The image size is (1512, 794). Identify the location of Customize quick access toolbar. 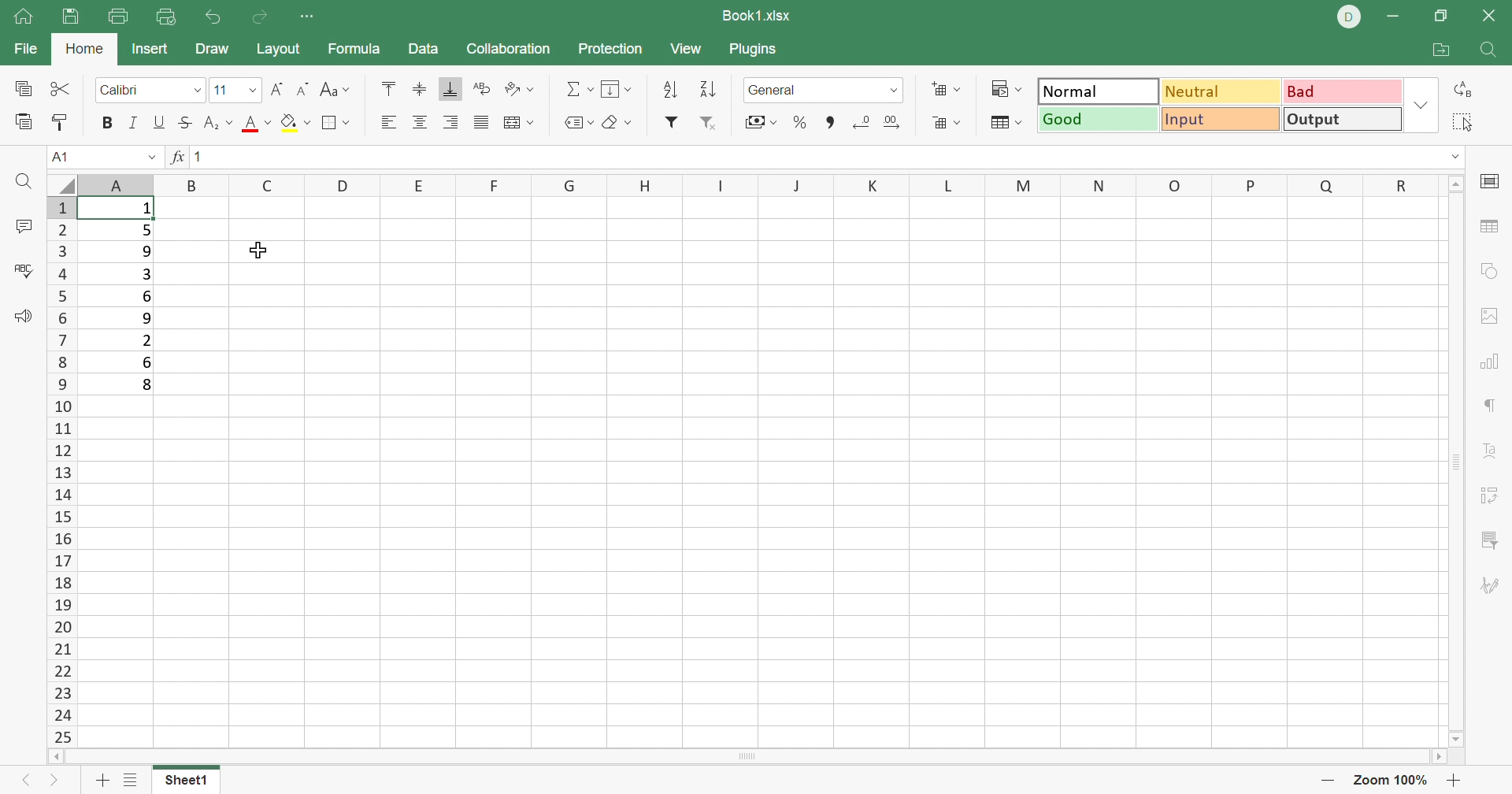
(308, 17).